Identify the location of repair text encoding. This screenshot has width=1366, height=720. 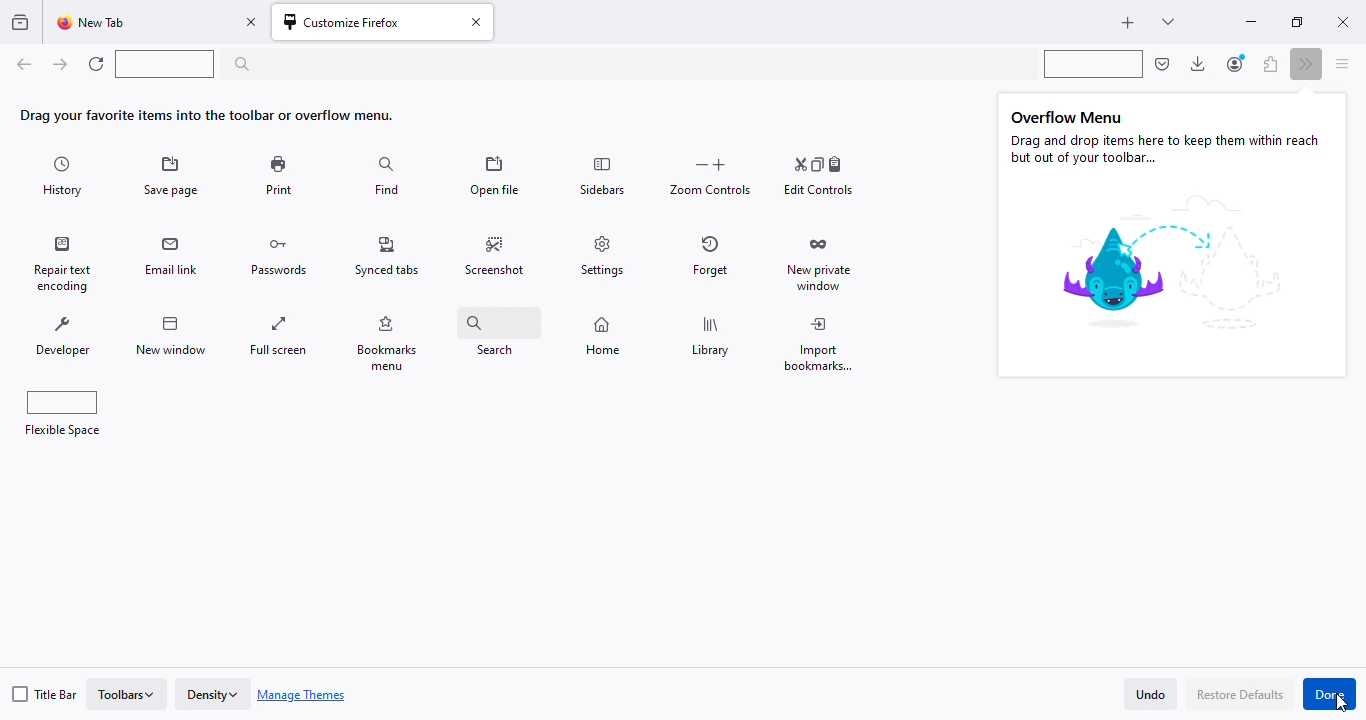
(63, 263).